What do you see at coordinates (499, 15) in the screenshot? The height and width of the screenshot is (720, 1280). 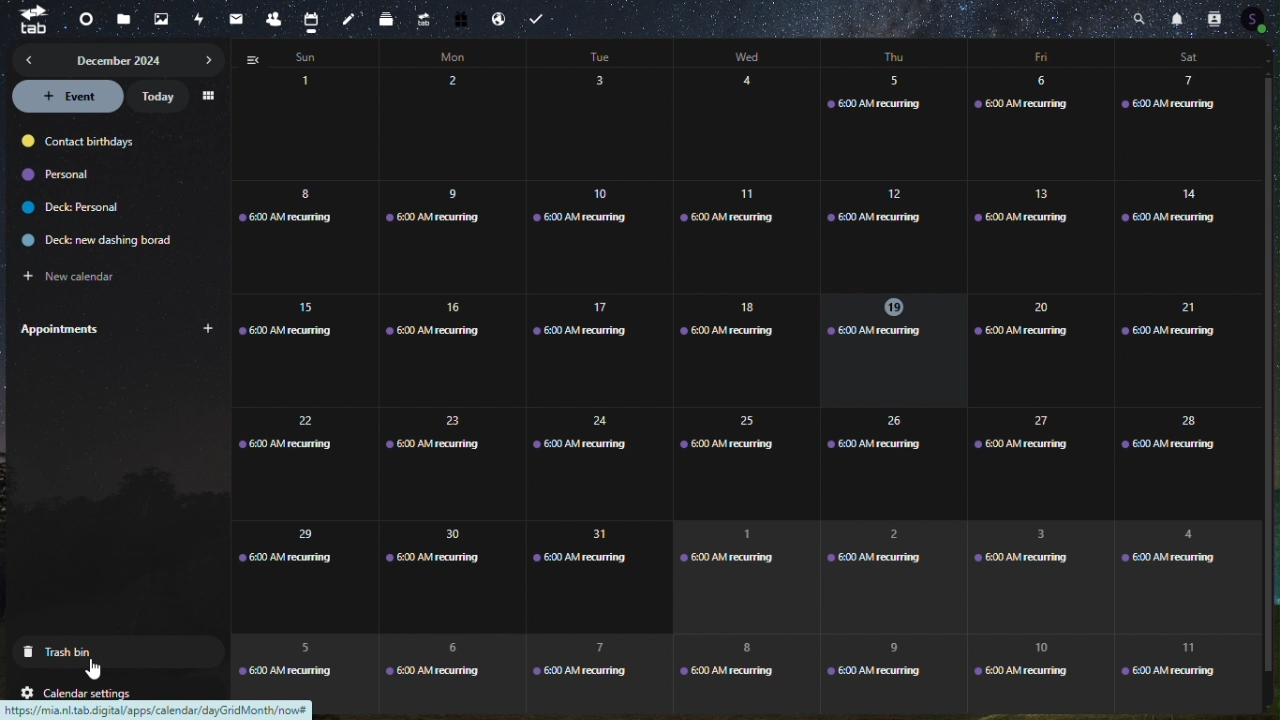 I see `Email hosting` at bounding box center [499, 15].